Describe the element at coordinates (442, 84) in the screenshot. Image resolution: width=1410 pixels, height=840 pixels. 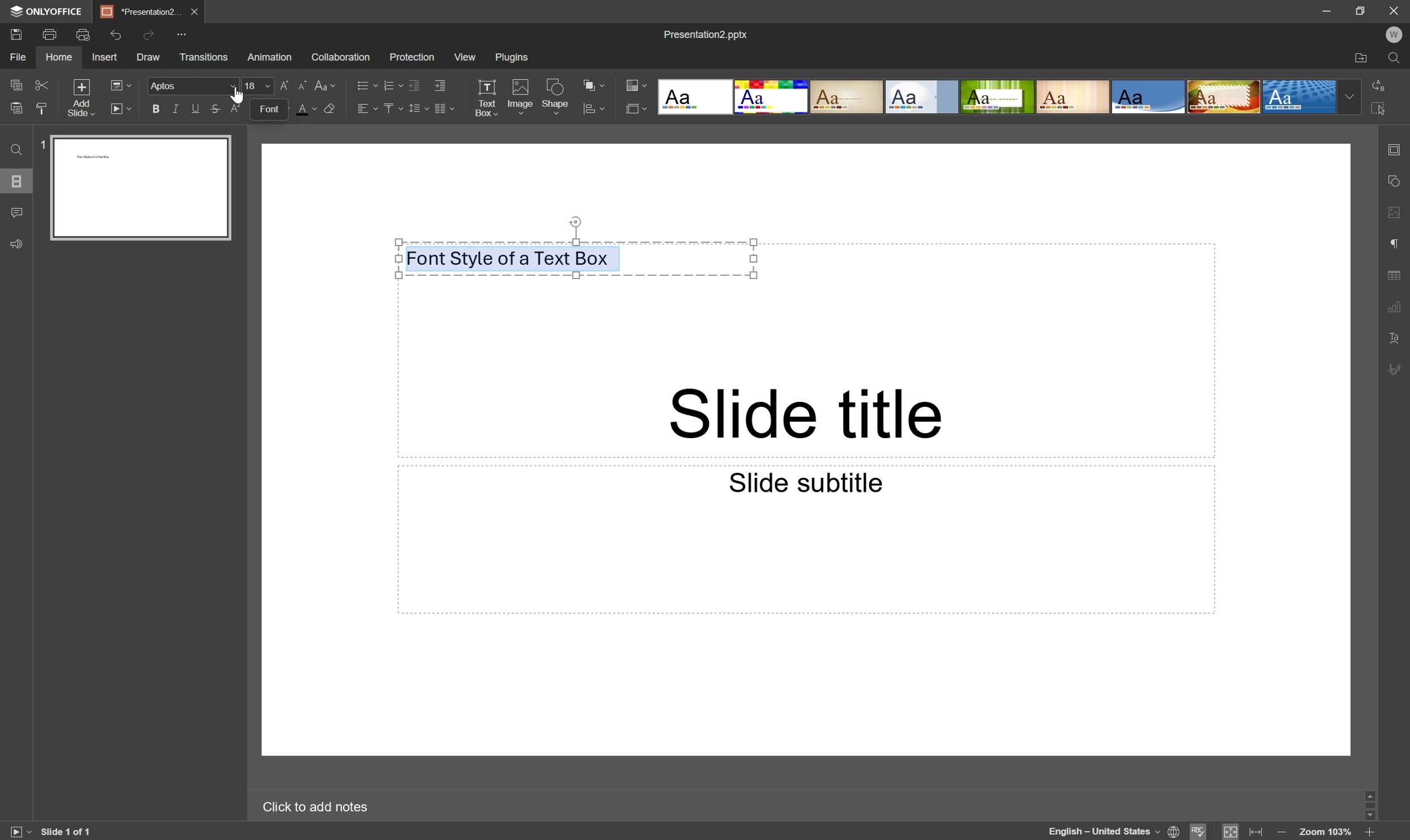
I see `Increase indent` at that location.